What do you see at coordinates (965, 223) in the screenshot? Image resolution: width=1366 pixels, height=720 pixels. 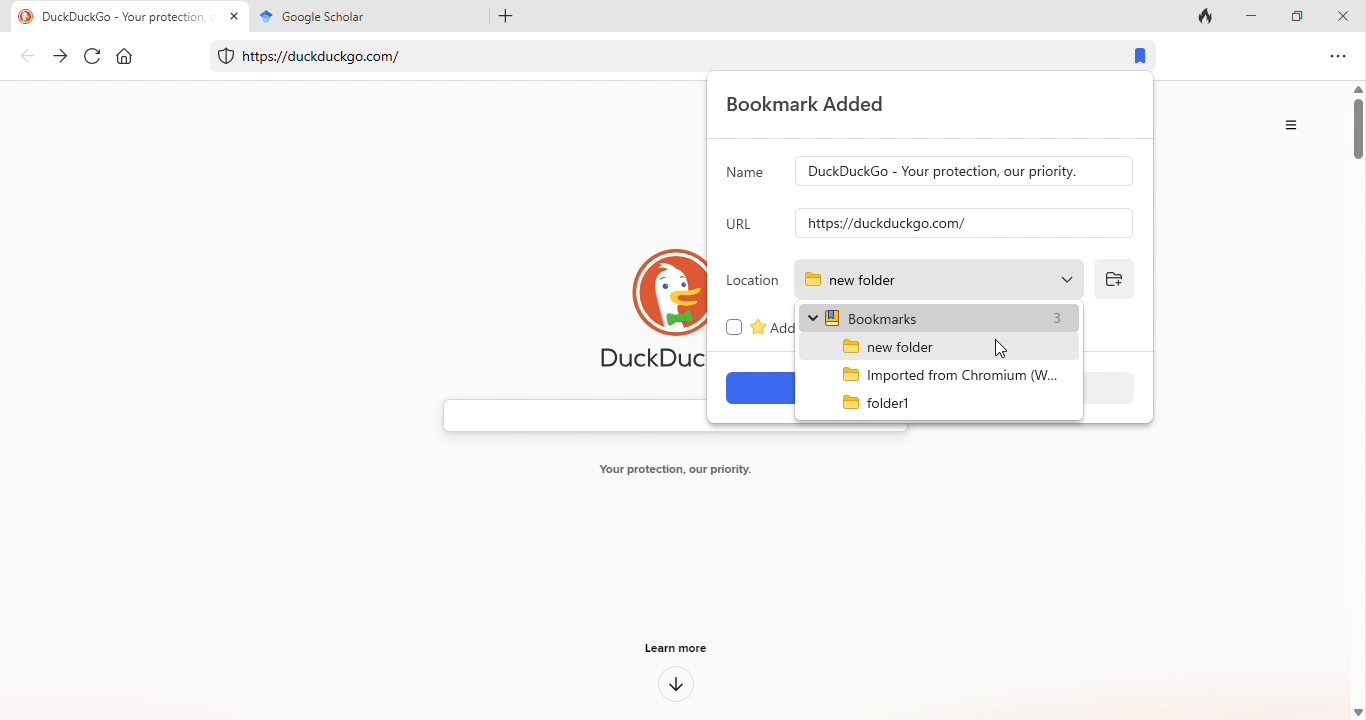 I see `input url` at bounding box center [965, 223].